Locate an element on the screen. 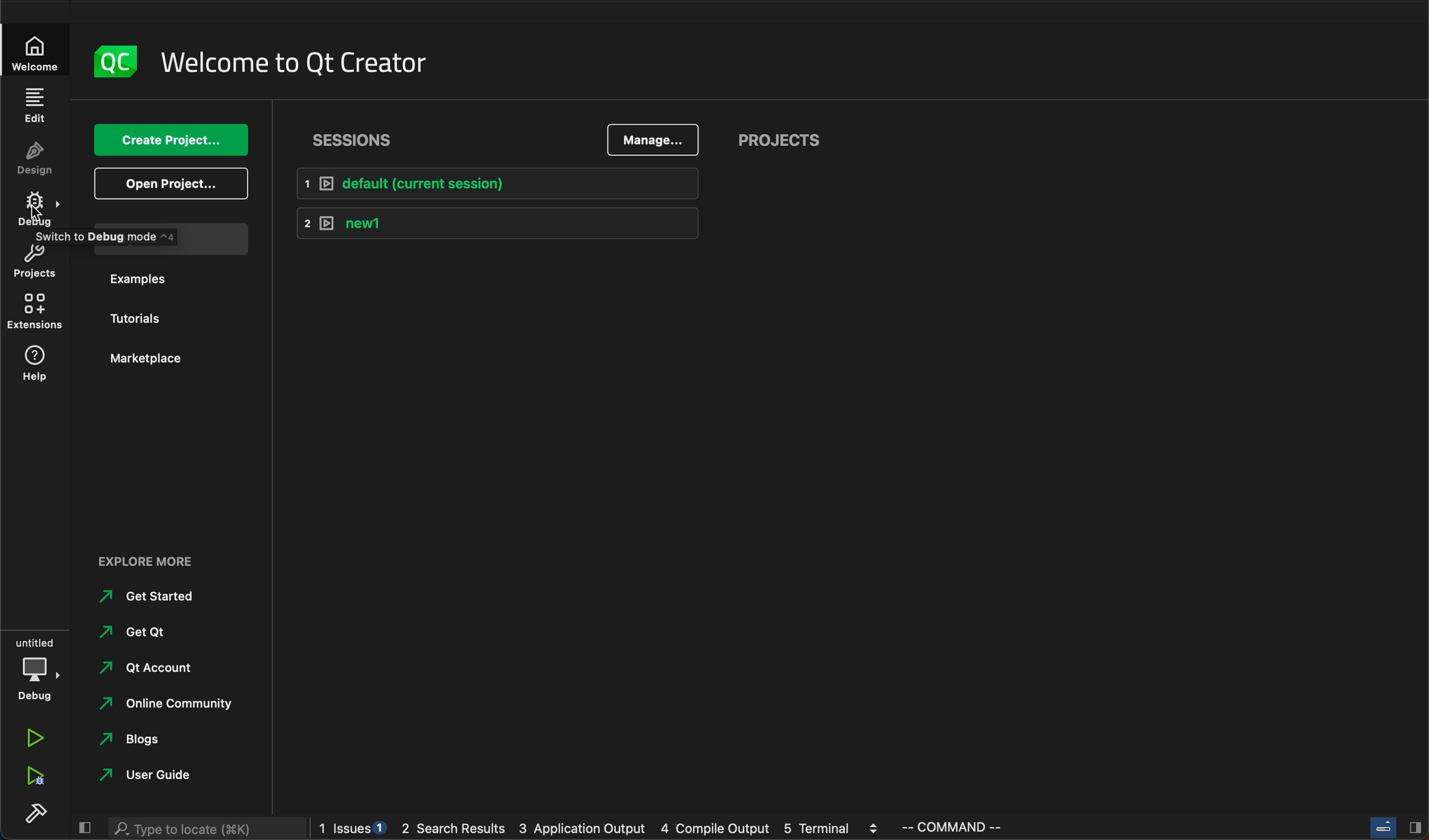 Image resolution: width=1429 pixels, height=840 pixels. close slidebar is located at coordinates (82, 828).